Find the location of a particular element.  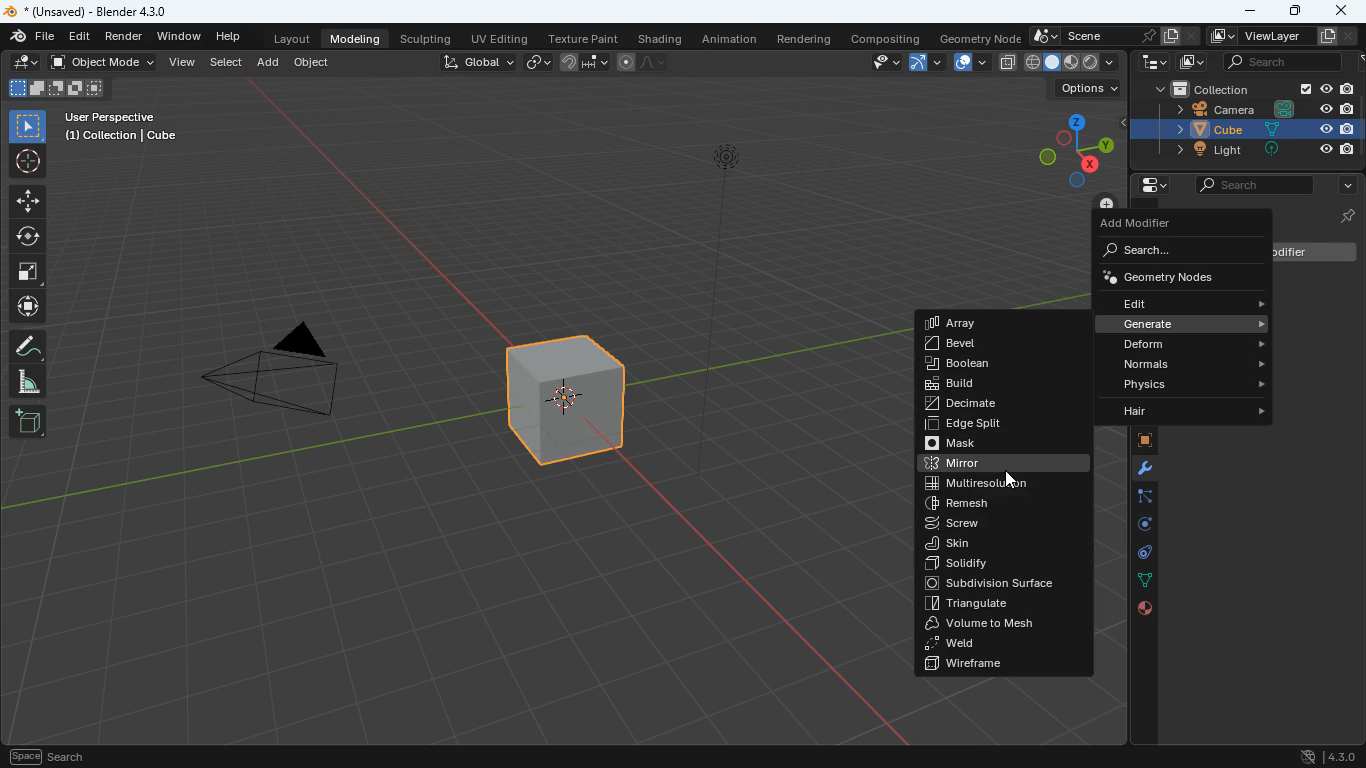

public is located at coordinates (1145, 609).